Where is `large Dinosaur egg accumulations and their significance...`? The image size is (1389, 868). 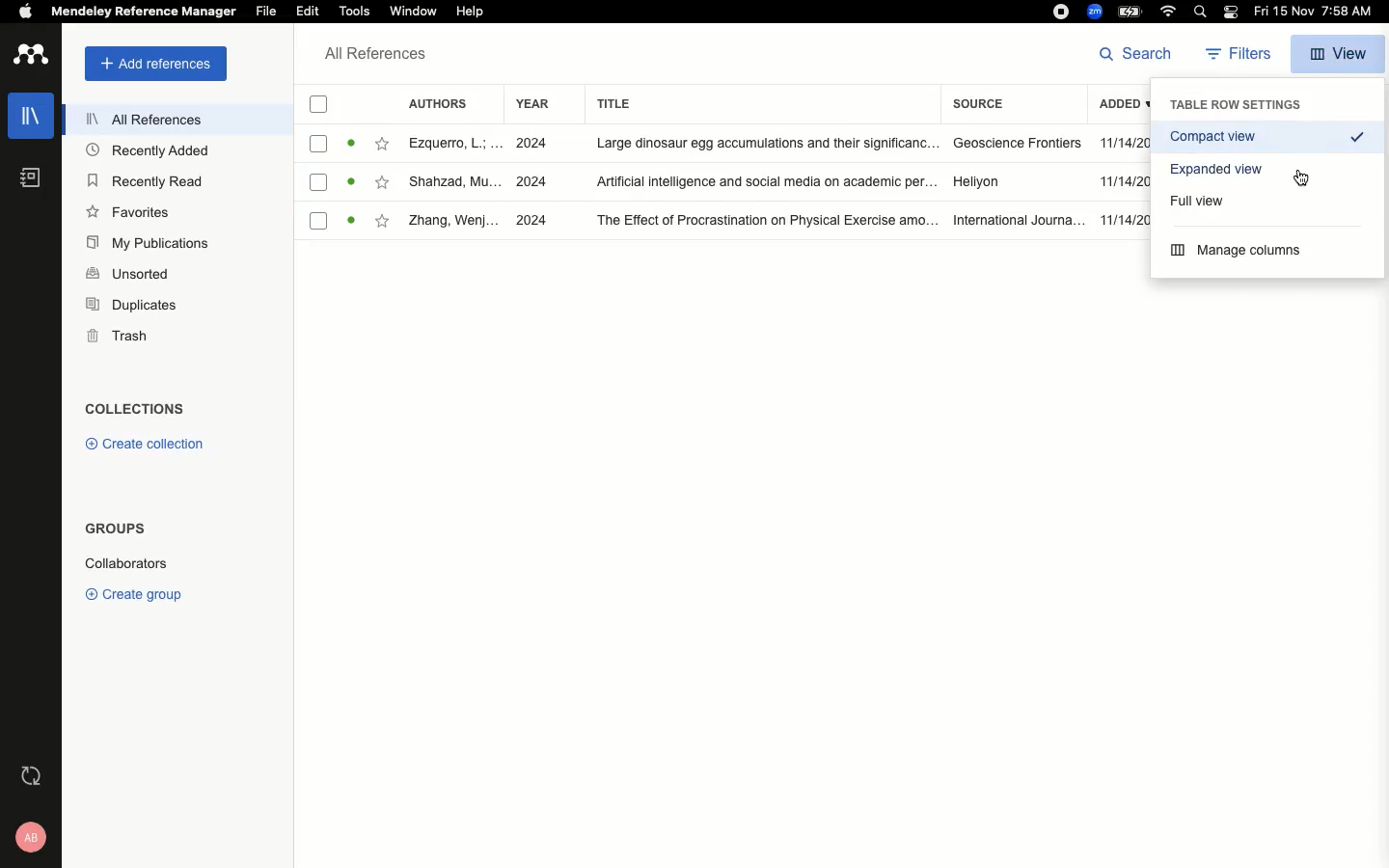
large Dinosaur egg accumulations and their significance... is located at coordinates (758, 144).